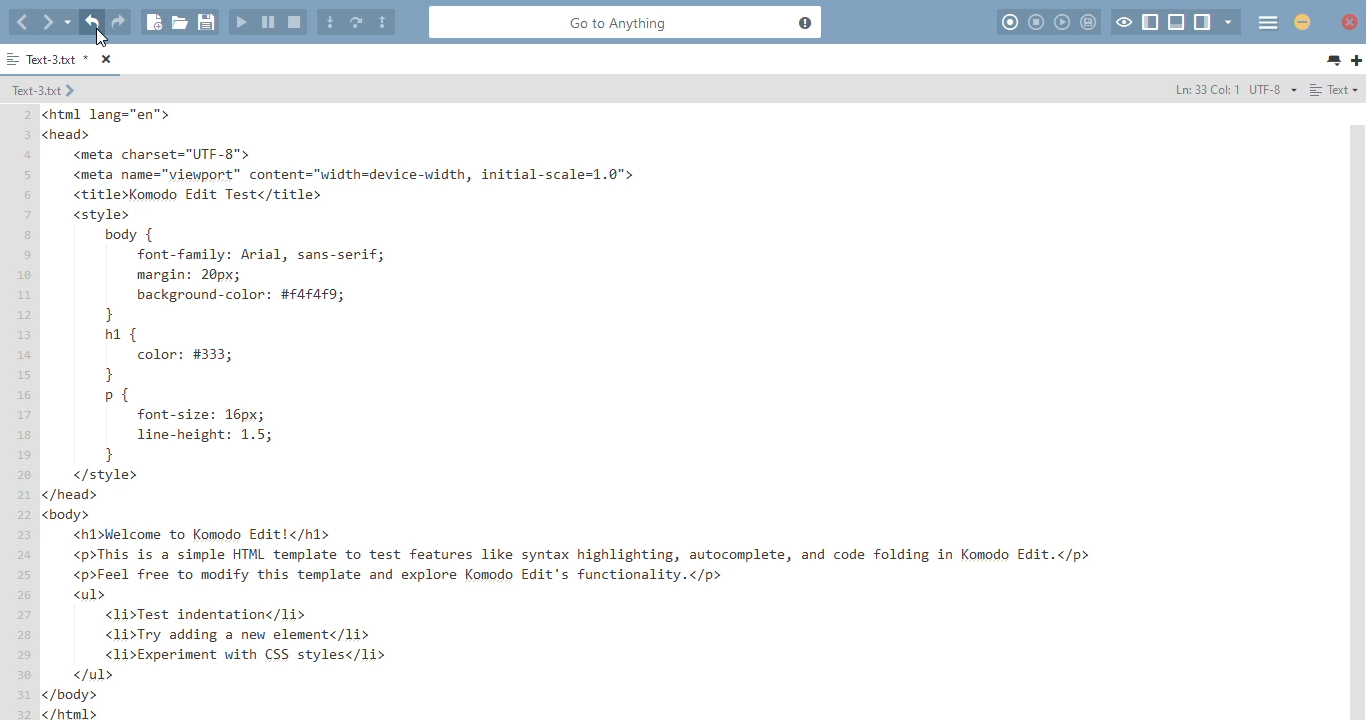 The width and height of the screenshot is (1366, 720). Describe the element at coordinates (92, 22) in the screenshot. I see `undo last action` at that location.